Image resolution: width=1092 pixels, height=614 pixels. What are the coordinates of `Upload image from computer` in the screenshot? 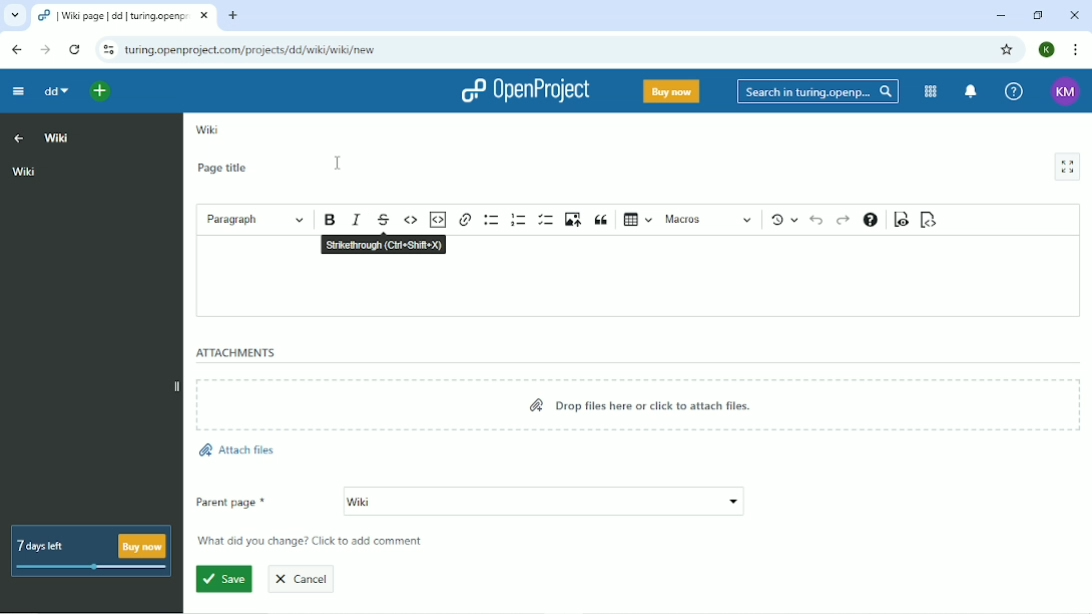 It's located at (572, 218).